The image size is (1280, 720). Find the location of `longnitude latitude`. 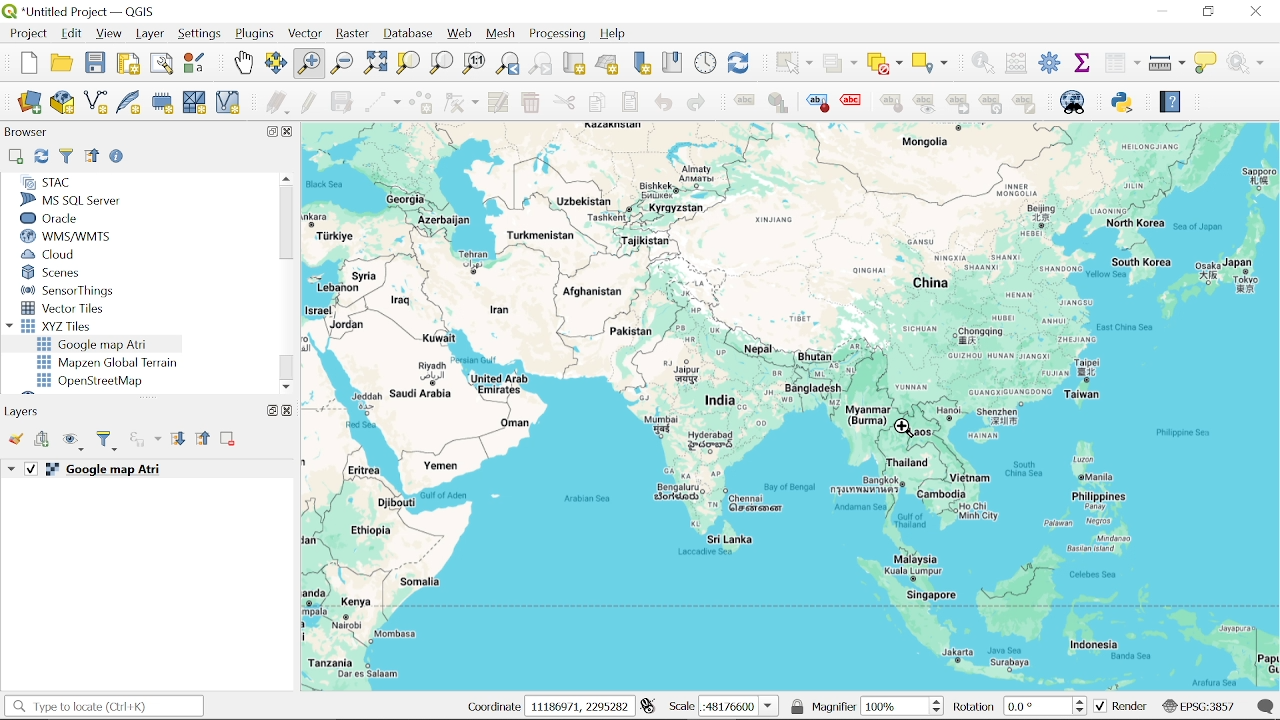

longnitude latitude is located at coordinates (648, 706).